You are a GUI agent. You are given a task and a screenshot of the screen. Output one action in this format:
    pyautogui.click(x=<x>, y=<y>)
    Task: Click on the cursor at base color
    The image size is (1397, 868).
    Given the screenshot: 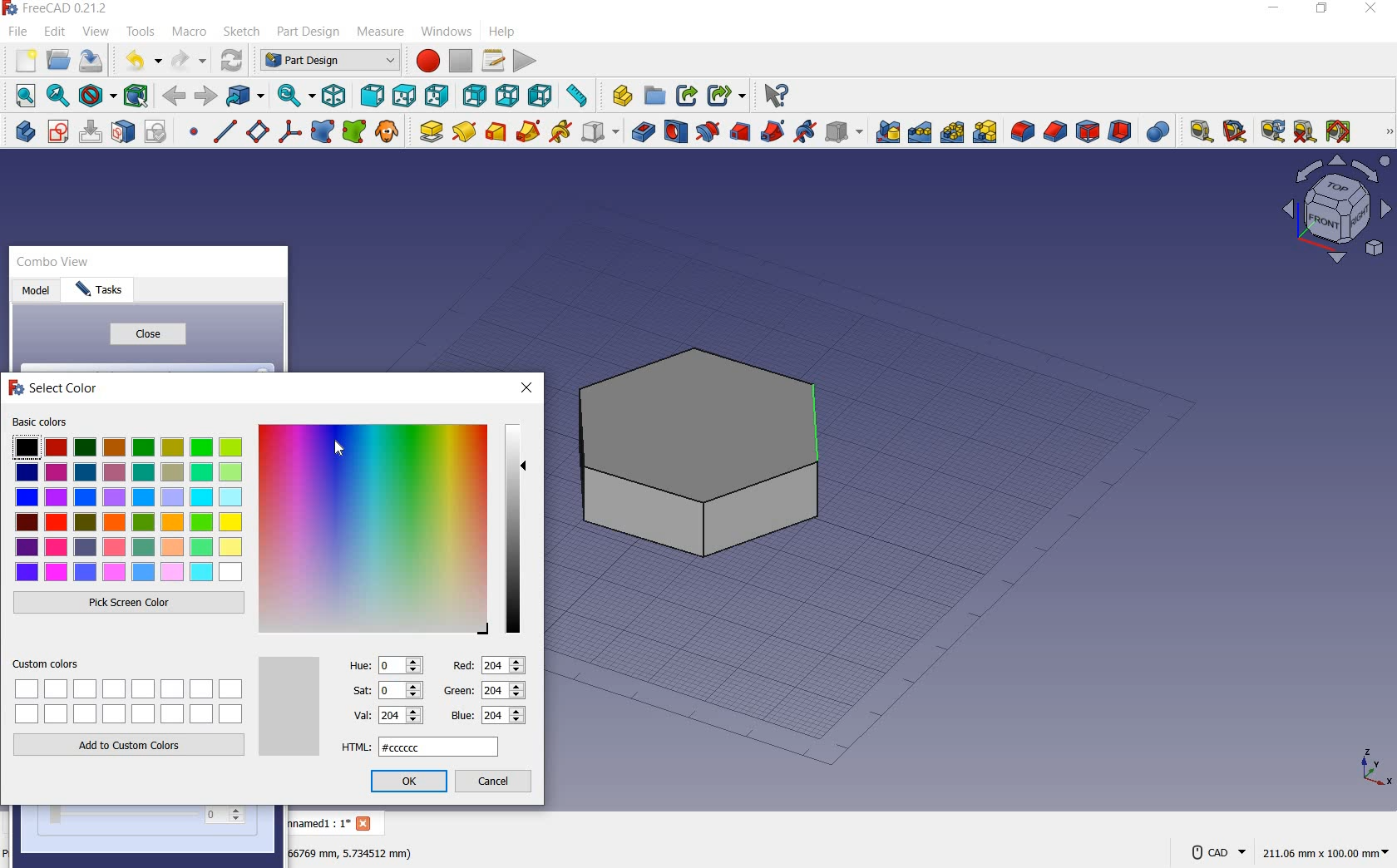 What is the action you would take?
    pyautogui.click(x=342, y=448)
    